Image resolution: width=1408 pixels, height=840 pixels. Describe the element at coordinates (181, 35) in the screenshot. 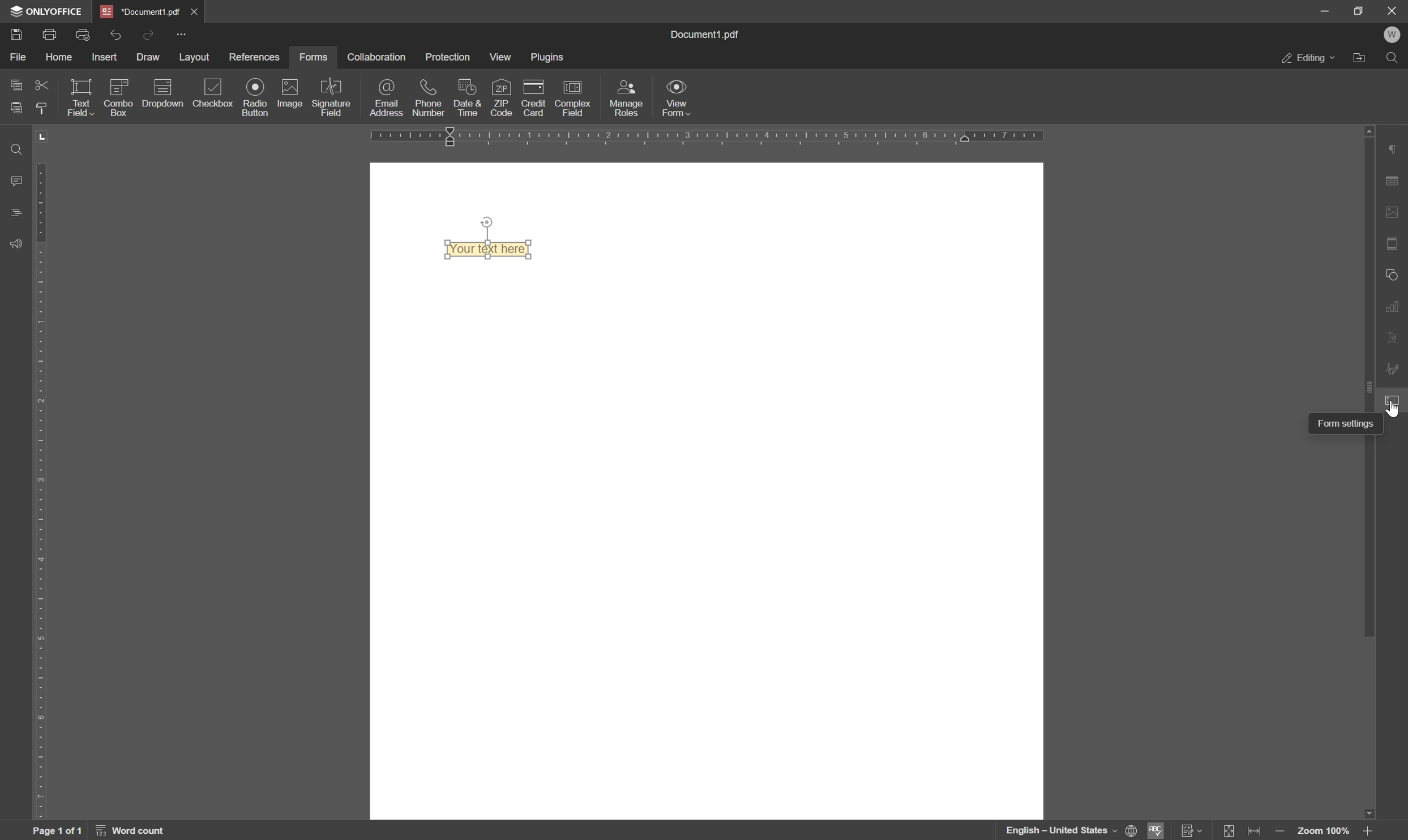

I see `customize quick access toolbar` at that location.